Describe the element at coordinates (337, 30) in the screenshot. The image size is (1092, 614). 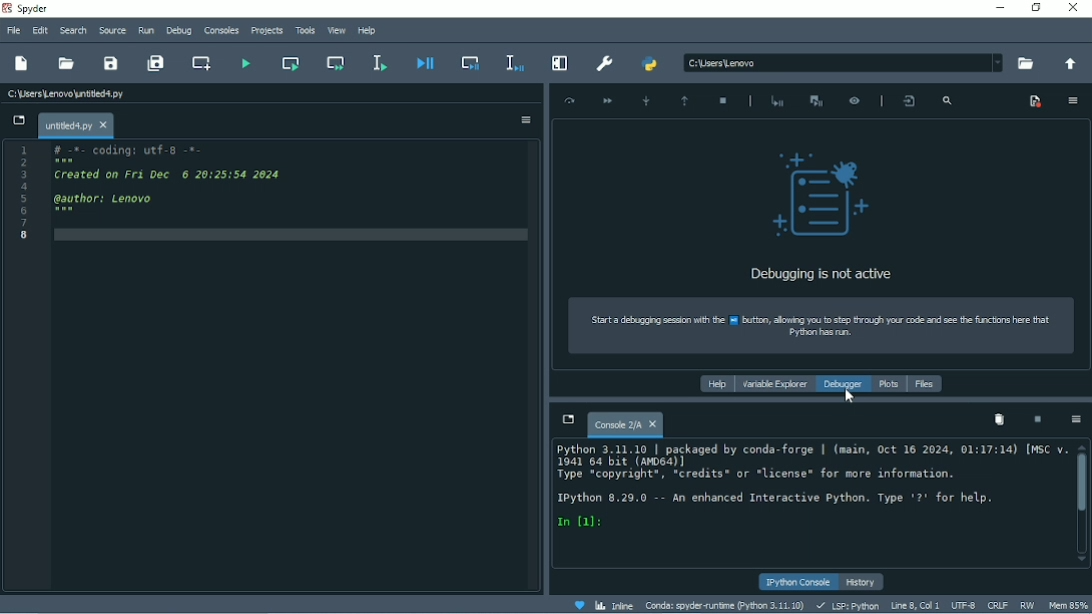
I see `View` at that location.